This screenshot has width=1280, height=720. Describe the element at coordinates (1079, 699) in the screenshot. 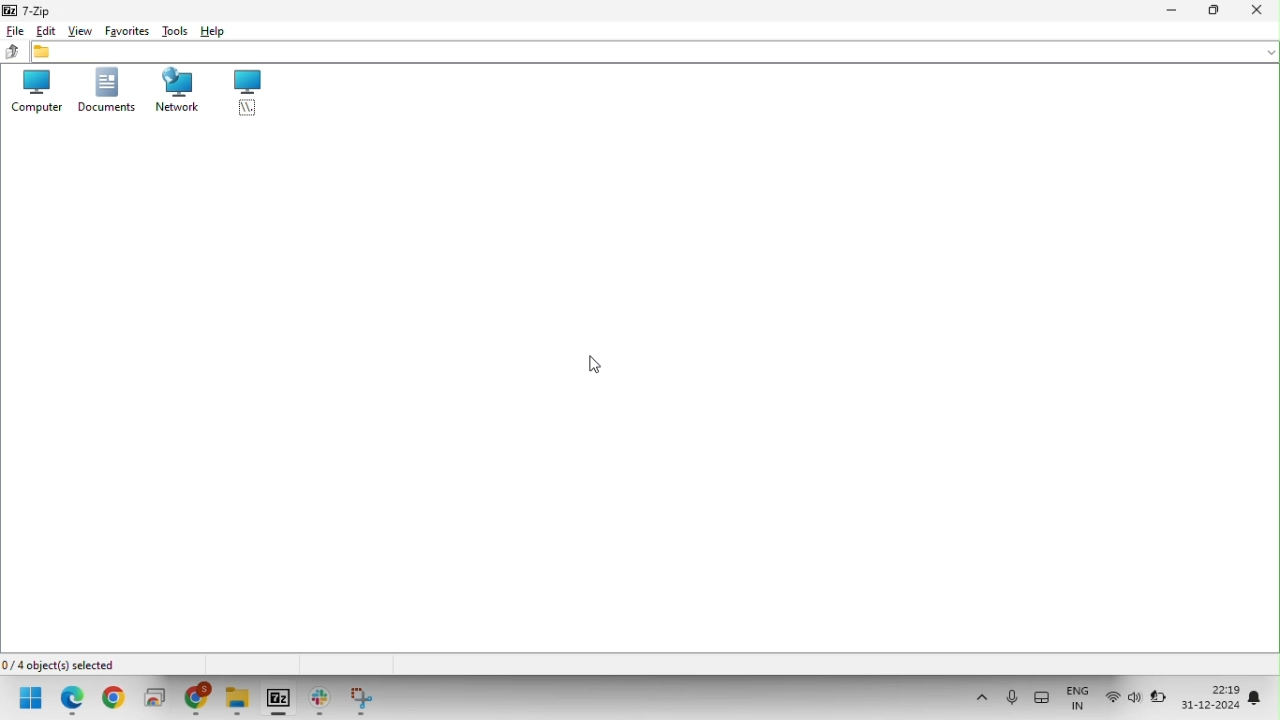

I see `locale` at that location.